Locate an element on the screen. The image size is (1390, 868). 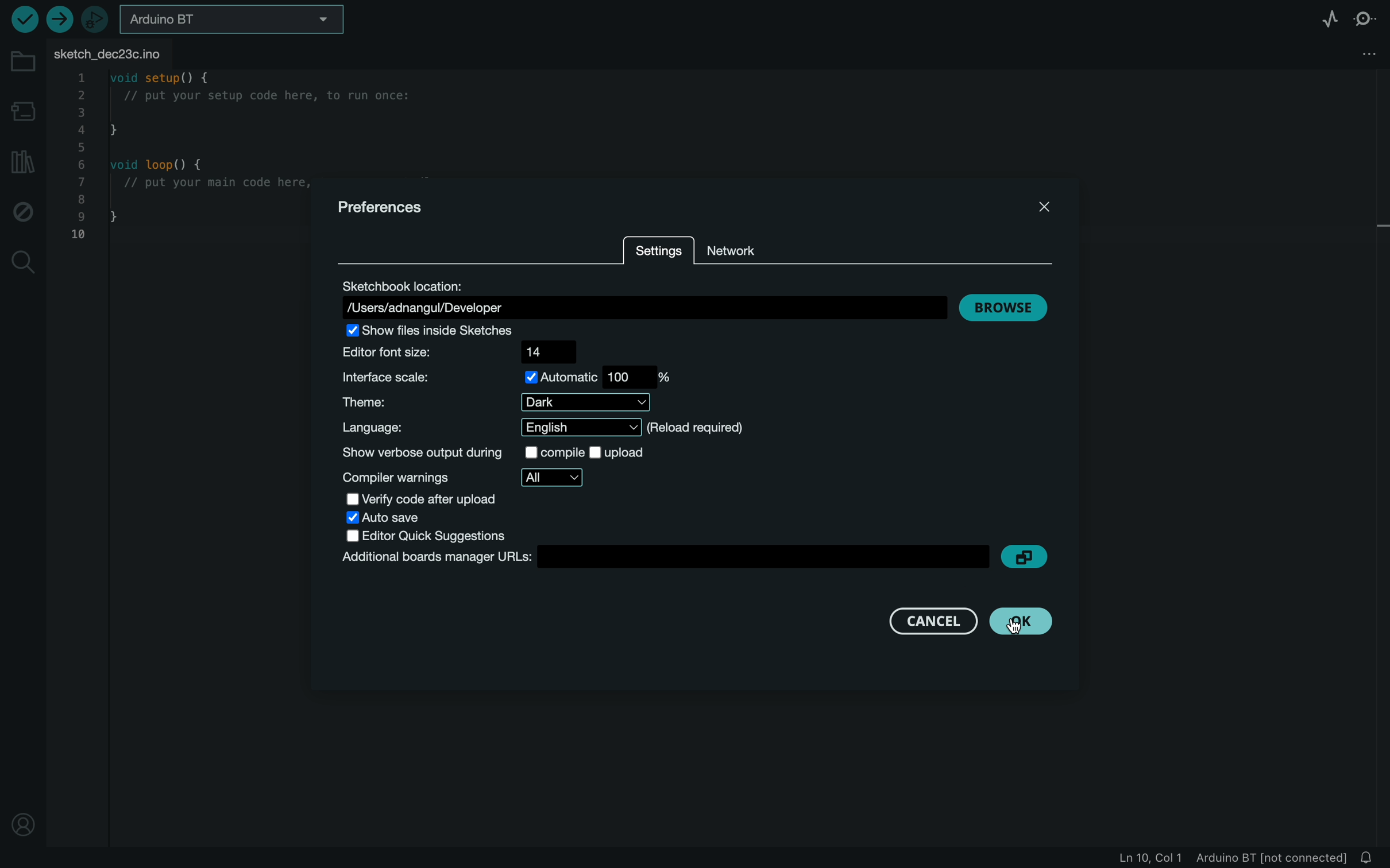
font size is located at coordinates (407, 353).